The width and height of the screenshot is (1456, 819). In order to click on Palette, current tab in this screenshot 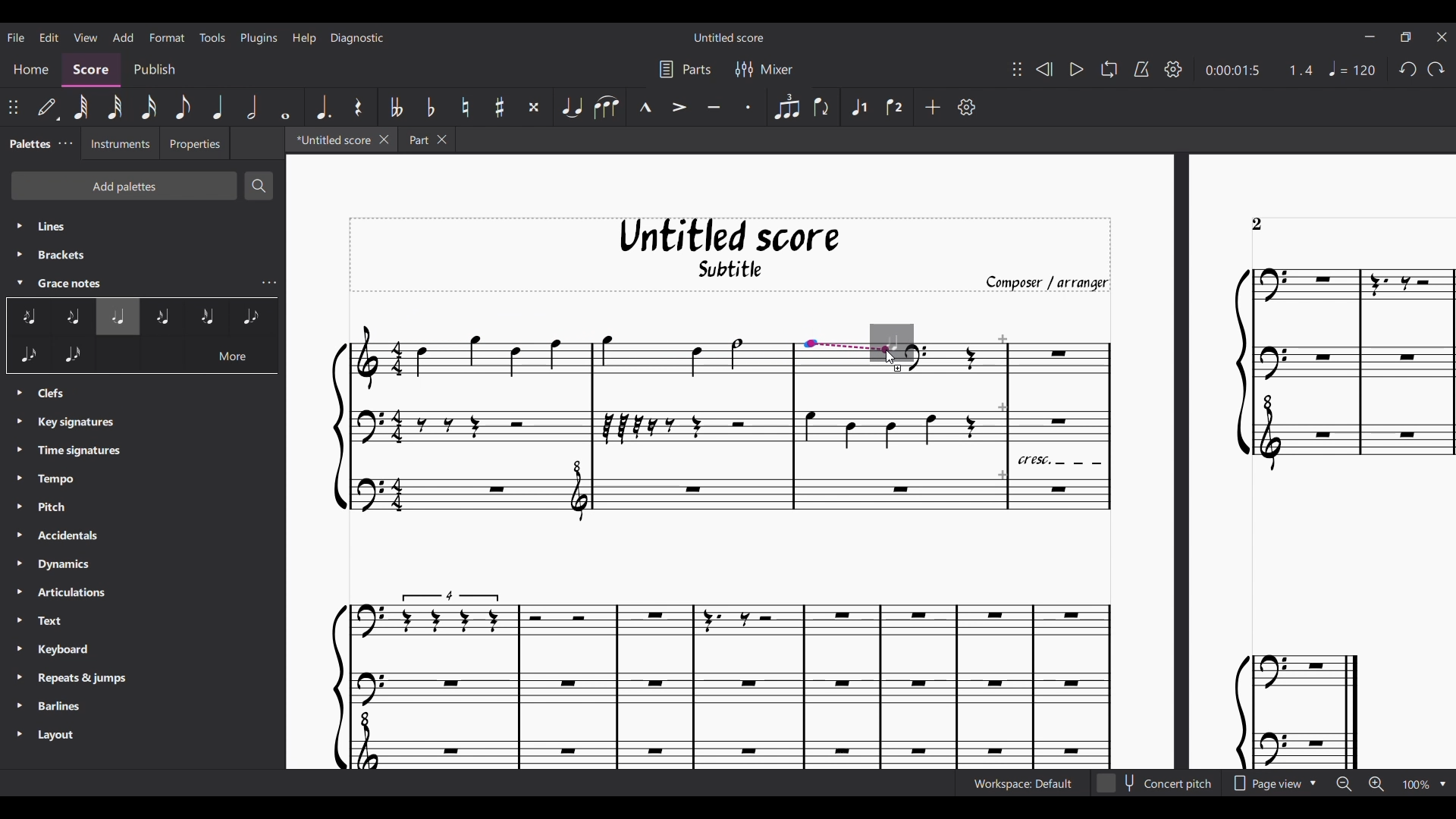, I will do `click(28, 143)`.